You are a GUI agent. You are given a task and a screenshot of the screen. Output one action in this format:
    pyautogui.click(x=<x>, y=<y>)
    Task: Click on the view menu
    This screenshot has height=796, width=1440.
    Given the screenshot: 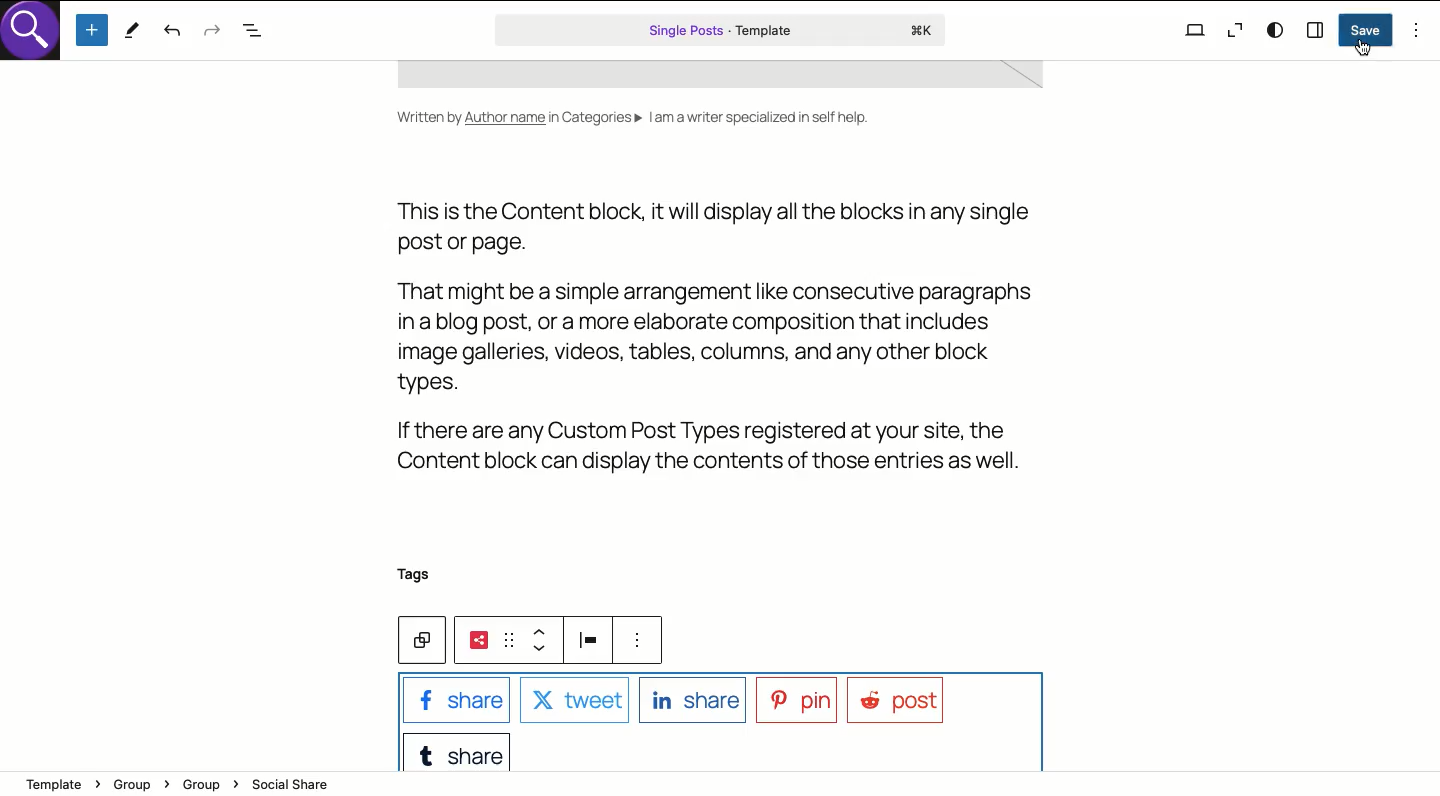 What is the action you would take?
    pyautogui.click(x=645, y=644)
    